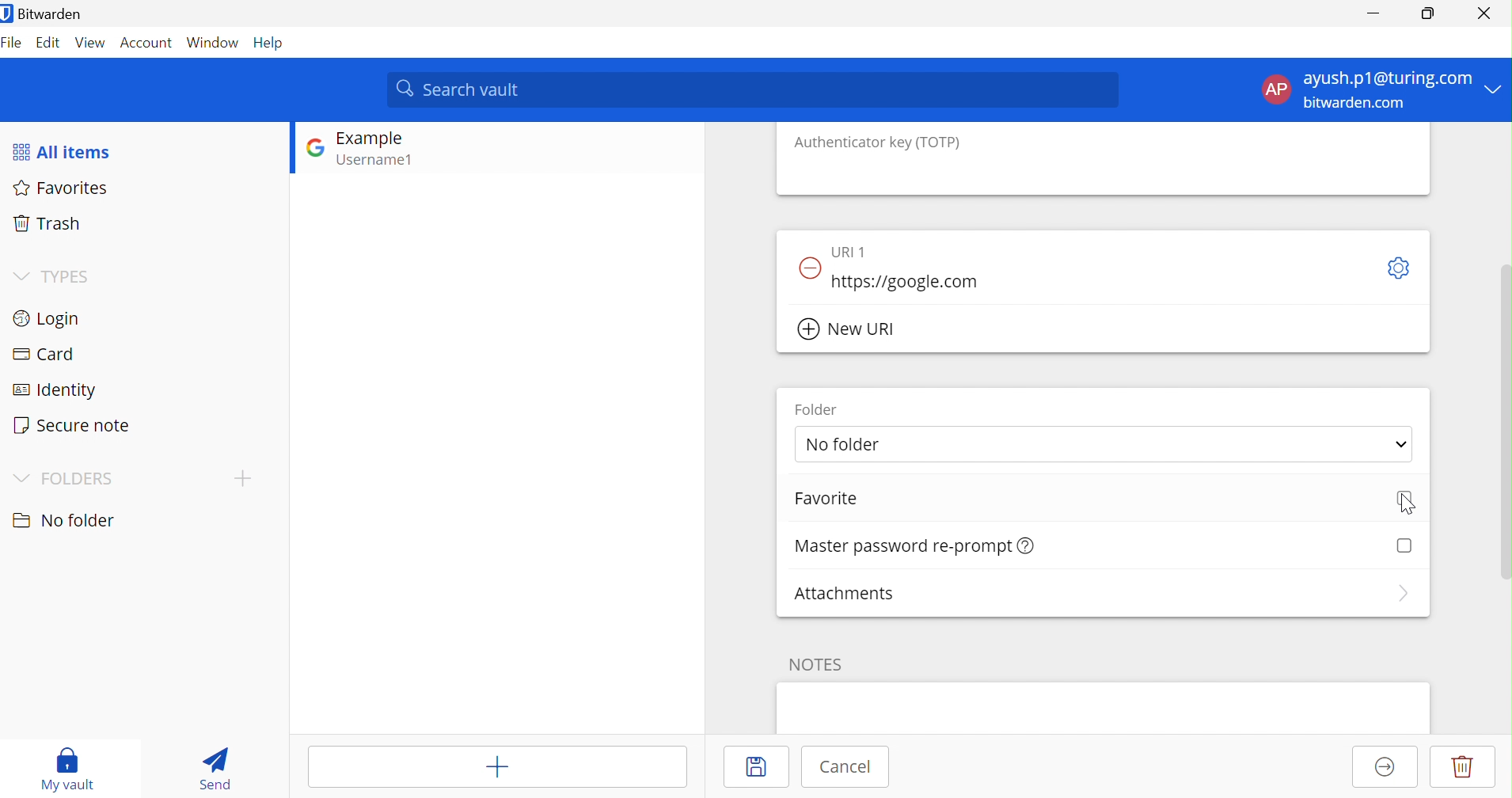  What do you see at coordinates (213, 42) in the screenshot?
I see `Window` at bounding box center [213, 42].